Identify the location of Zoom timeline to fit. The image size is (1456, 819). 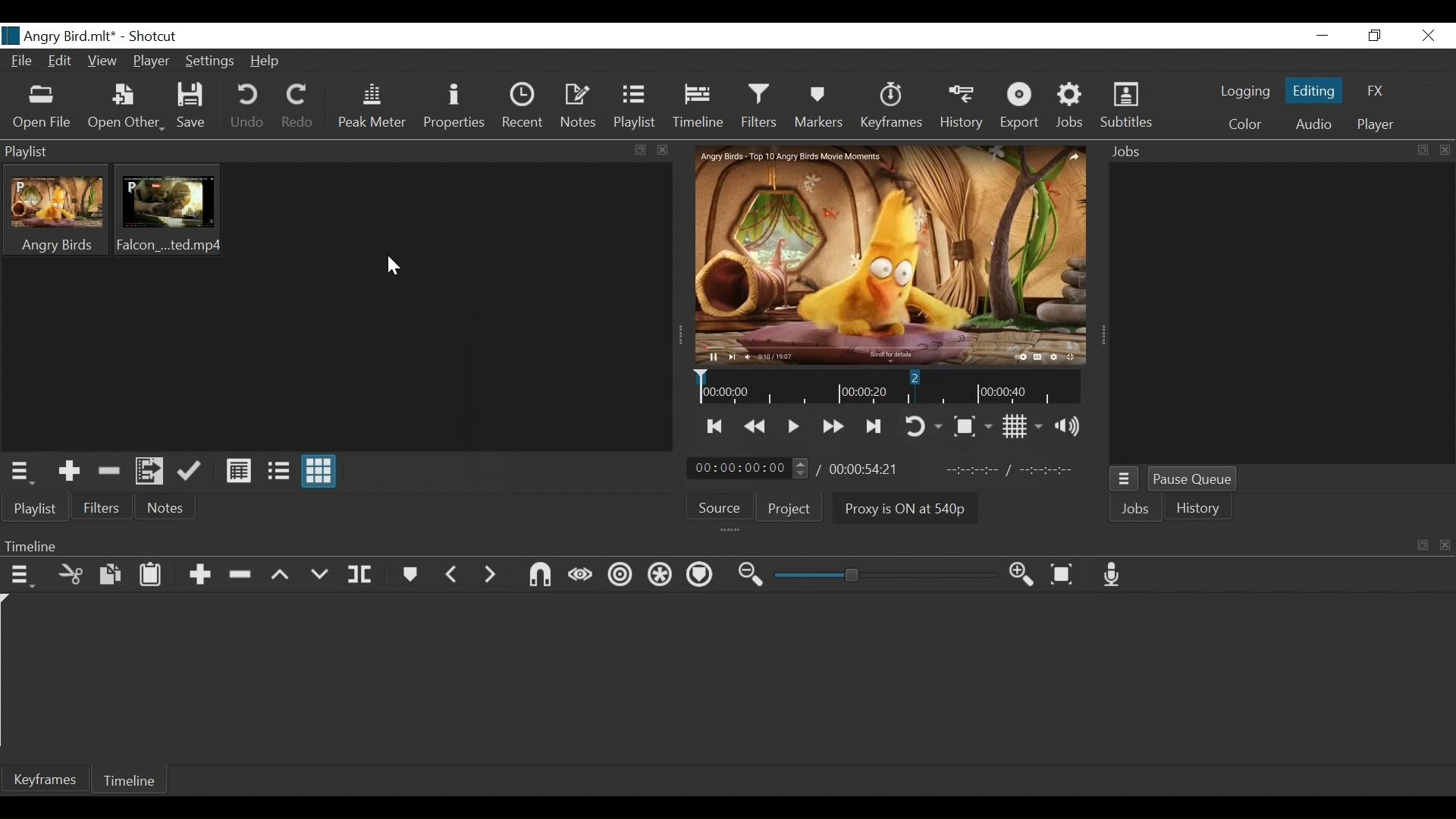
(1063, 574).